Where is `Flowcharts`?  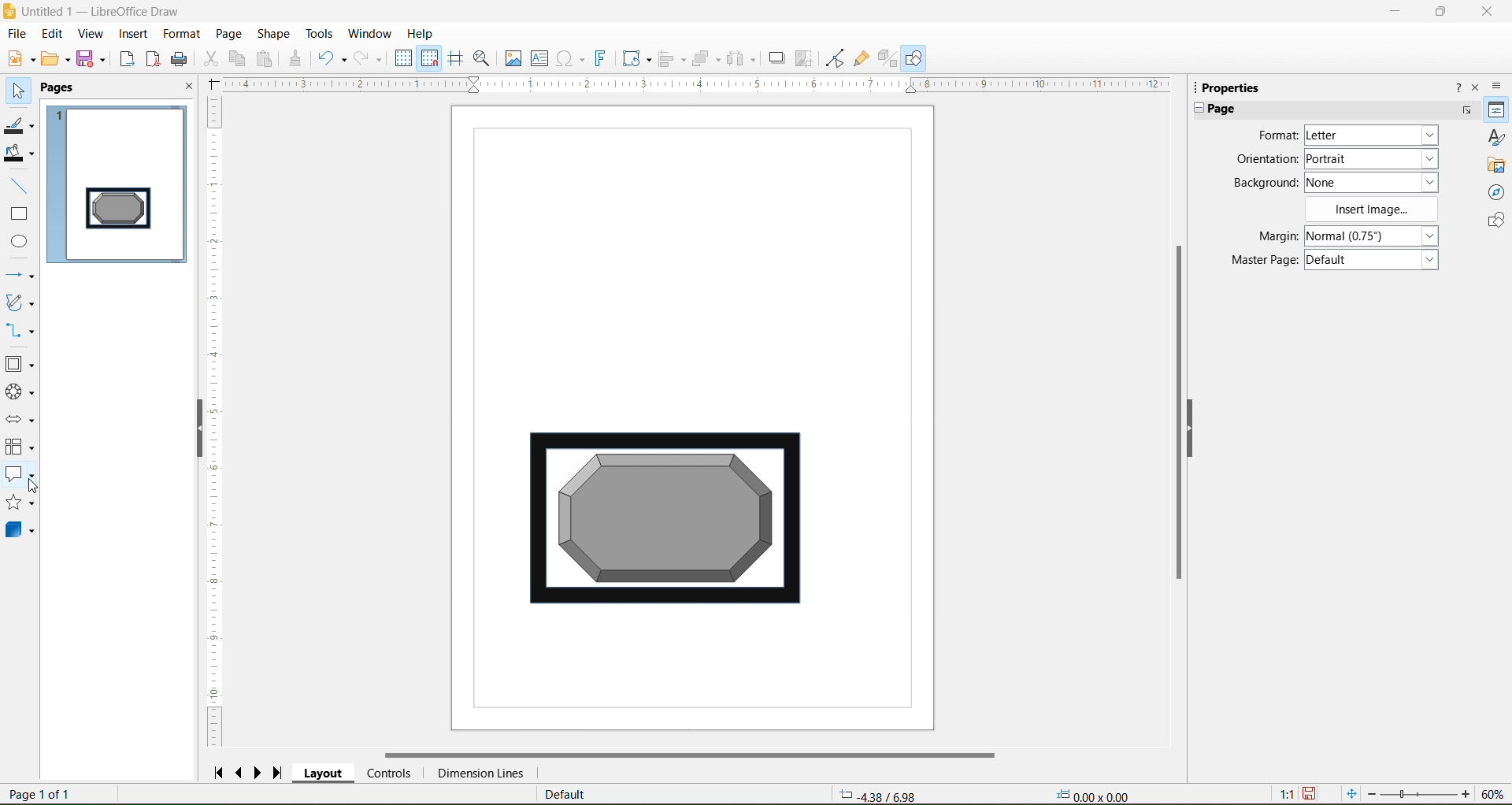
Flowcharts is located at coordinates (20, 448).